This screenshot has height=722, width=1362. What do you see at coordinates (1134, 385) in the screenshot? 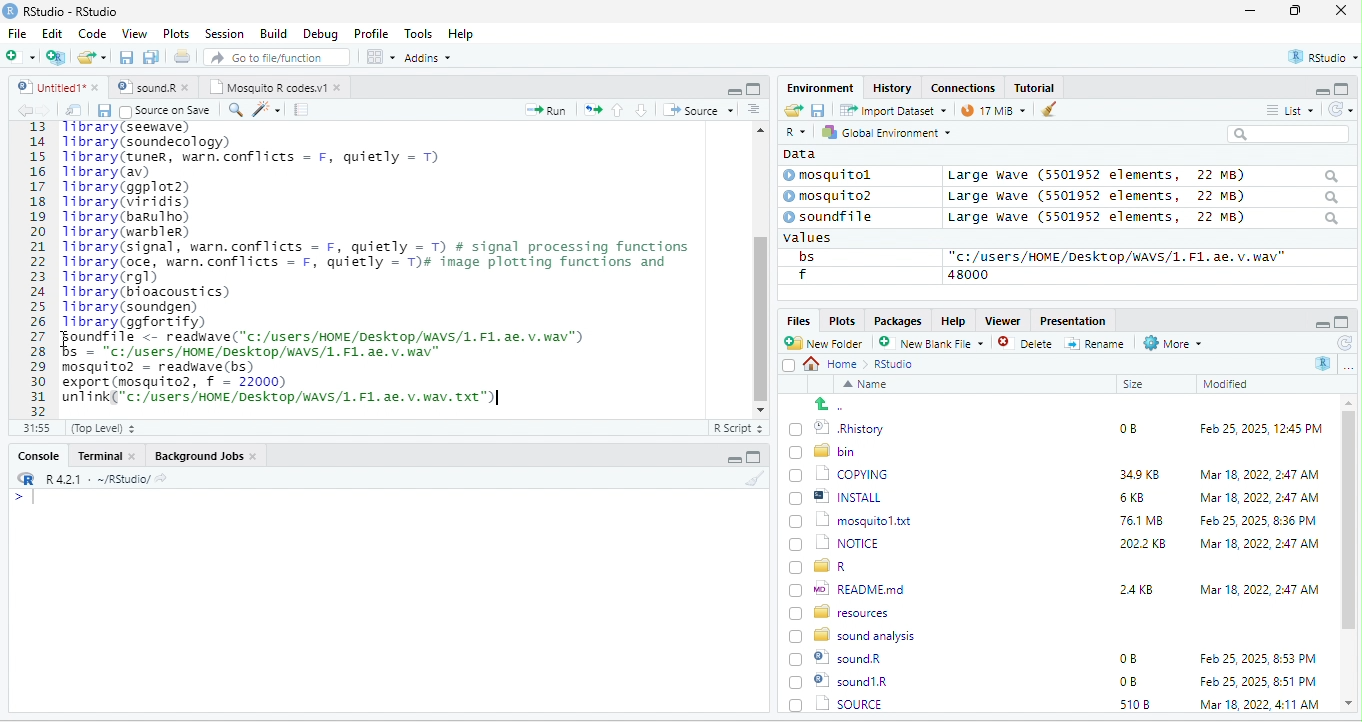
I see `Size` at bounding box center [1134, 385].